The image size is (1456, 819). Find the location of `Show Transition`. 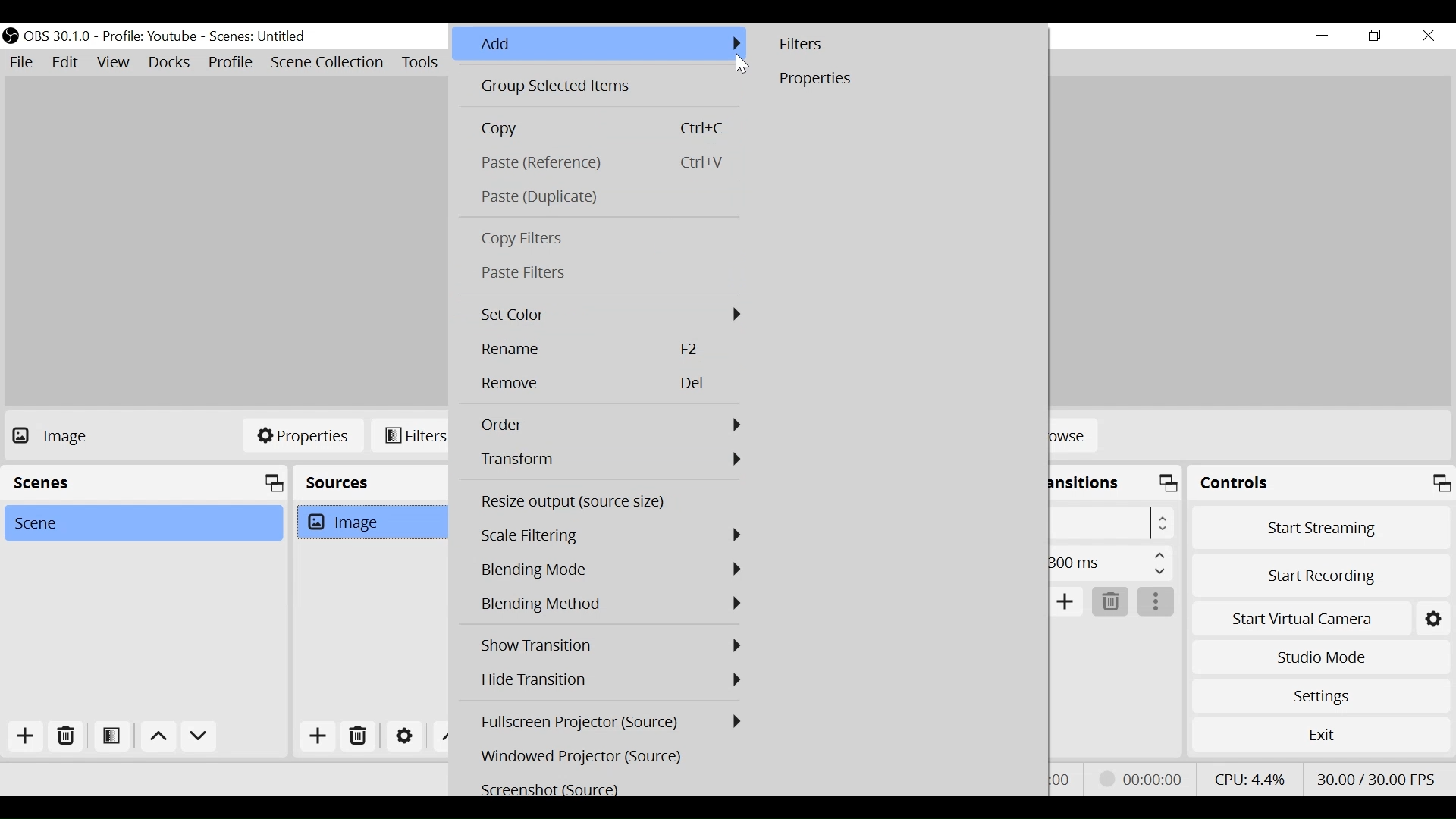

Show Transition is located at coordinates (615, 645).